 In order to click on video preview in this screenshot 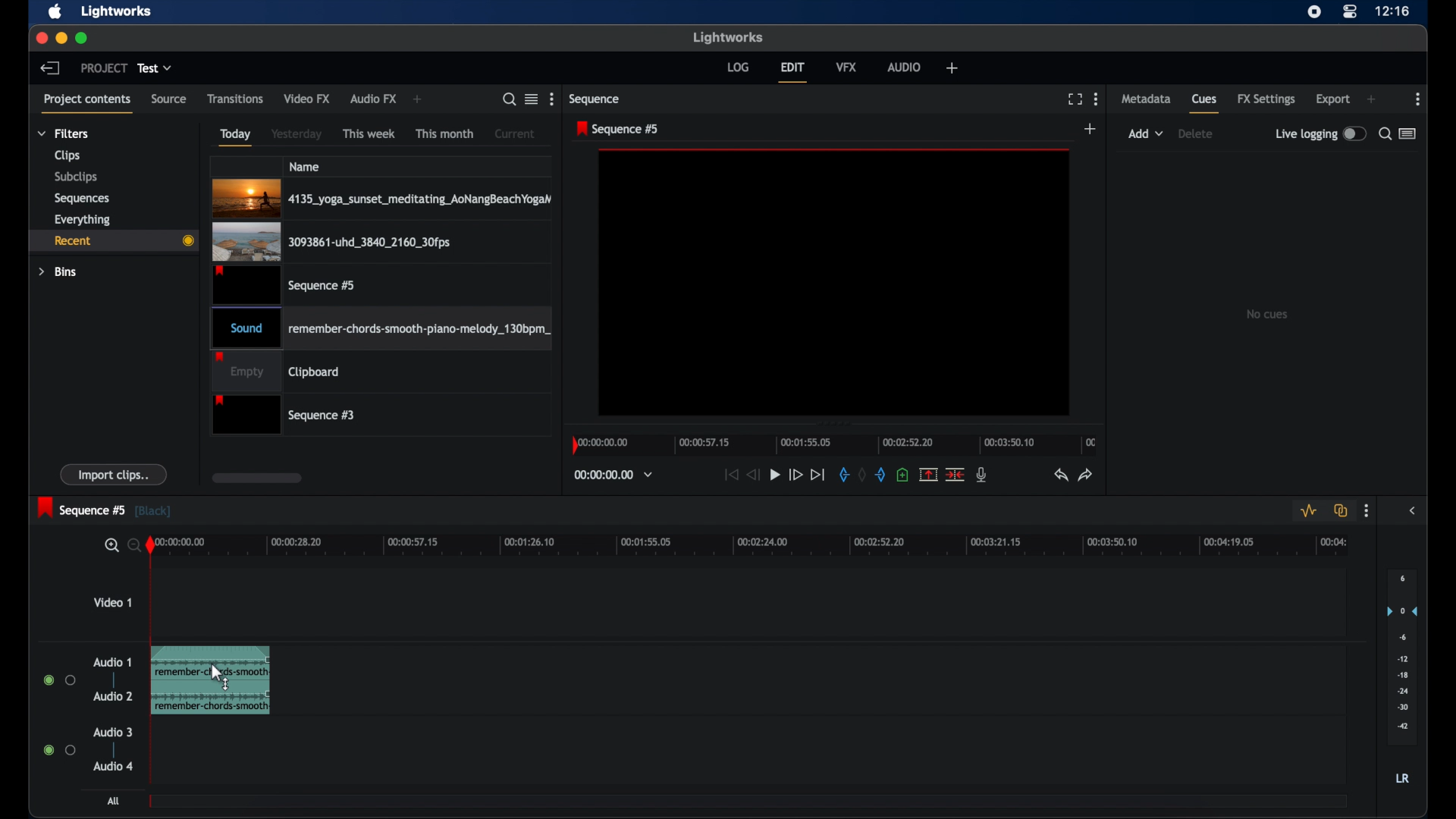, I will do `click(834, 283)`.